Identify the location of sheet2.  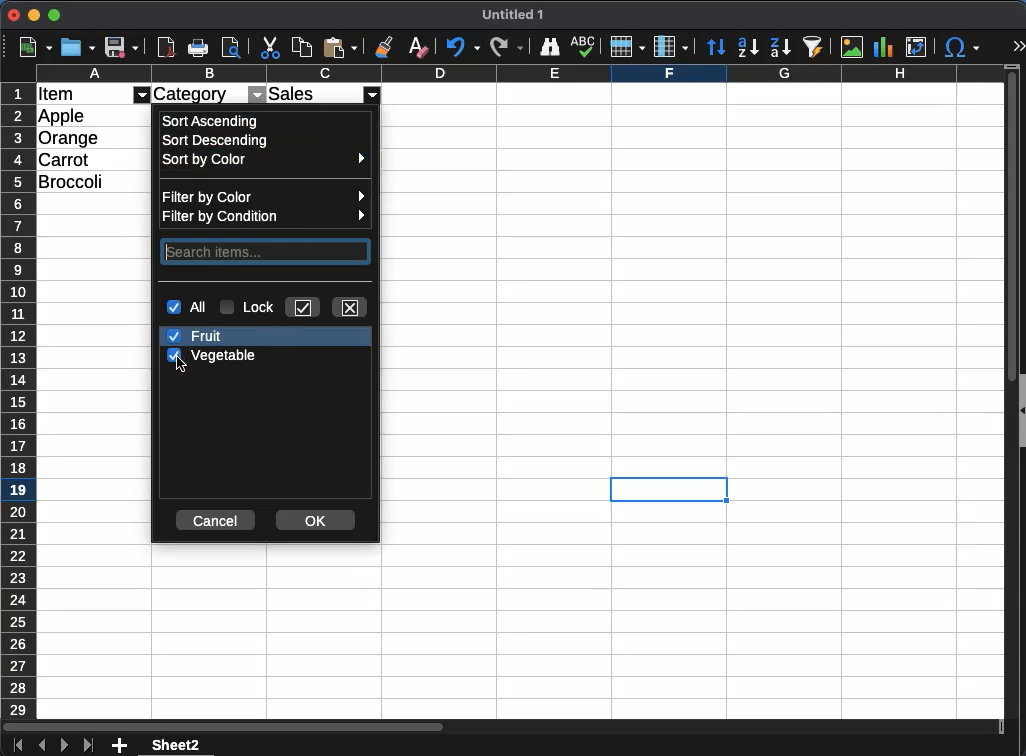
(179, 745).